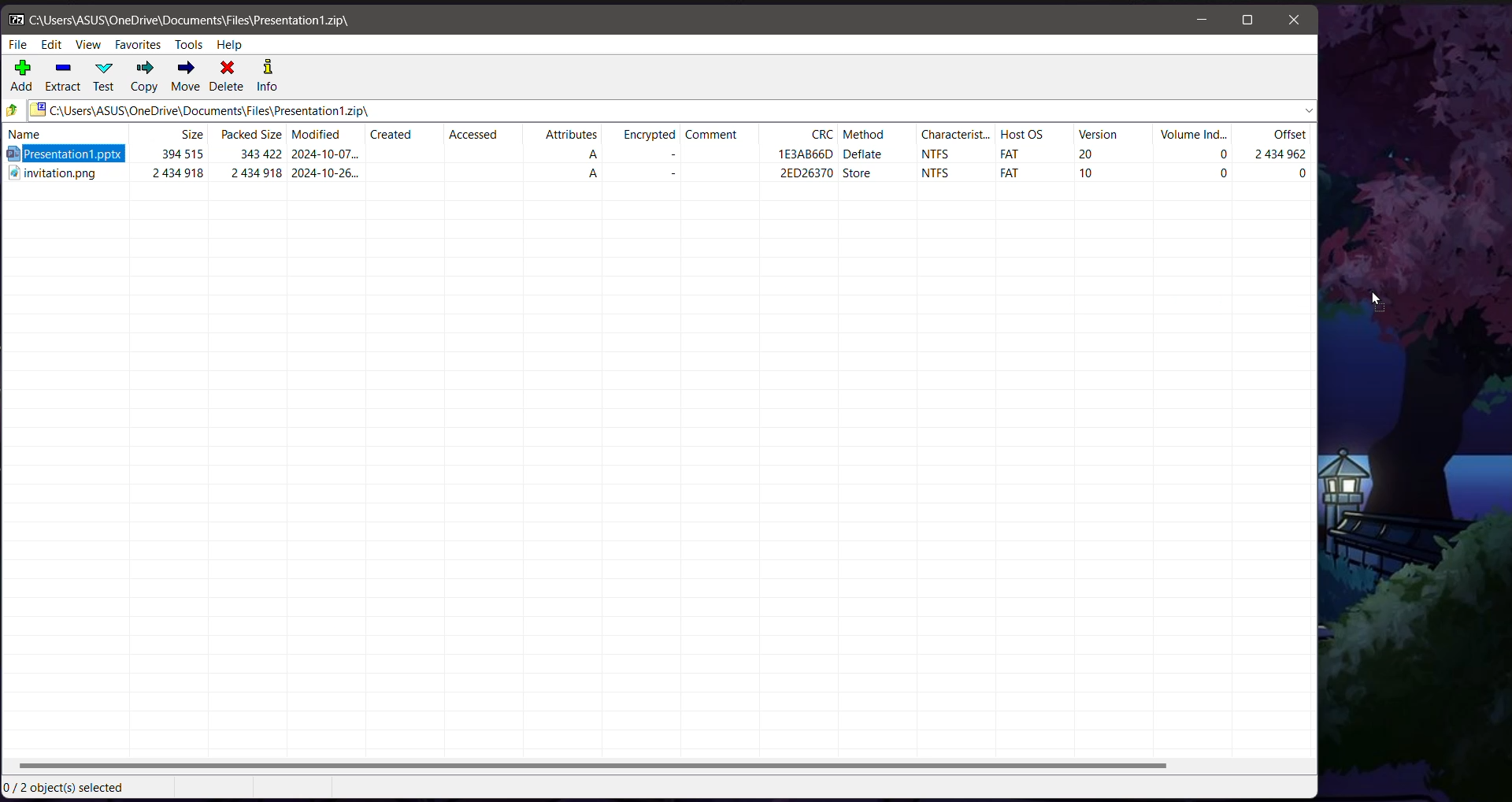 This screenshot has width=1512, height=802. I want to click on 0, so click(1301, 176).